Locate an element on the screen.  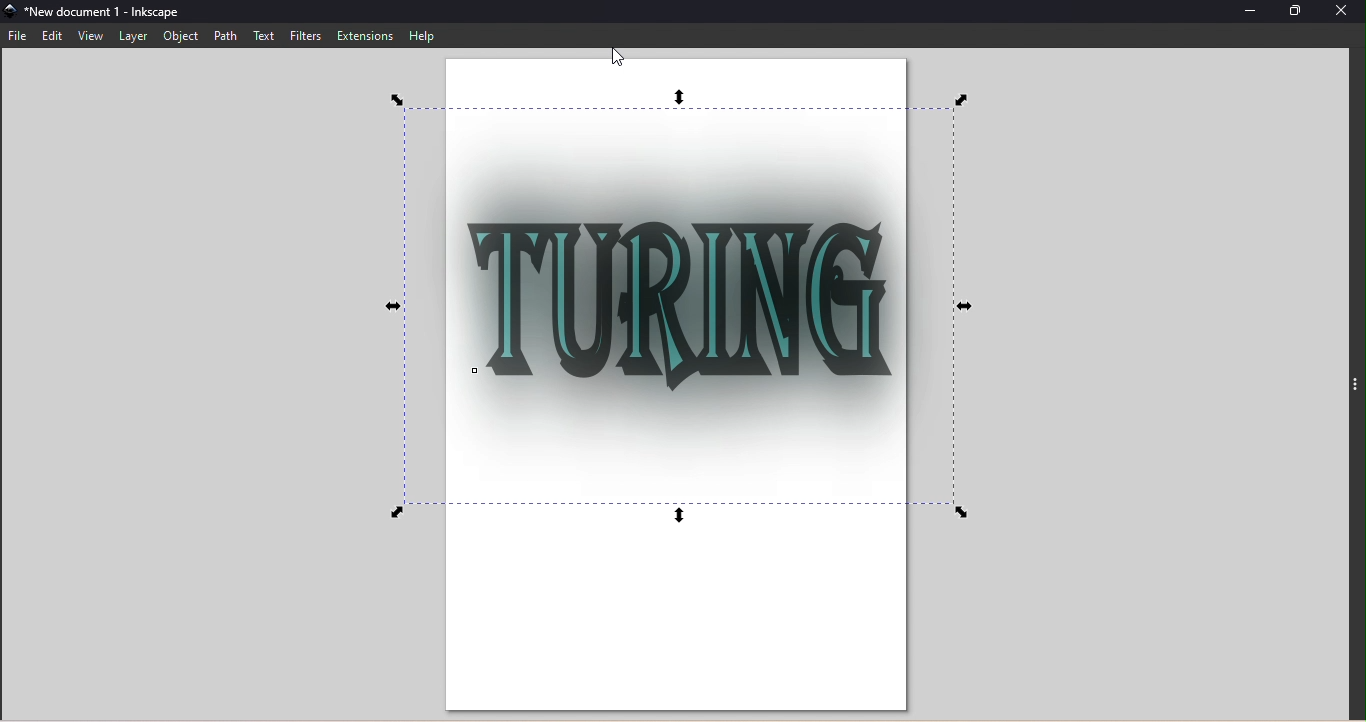
Filters is located at coordinates (307, 37).